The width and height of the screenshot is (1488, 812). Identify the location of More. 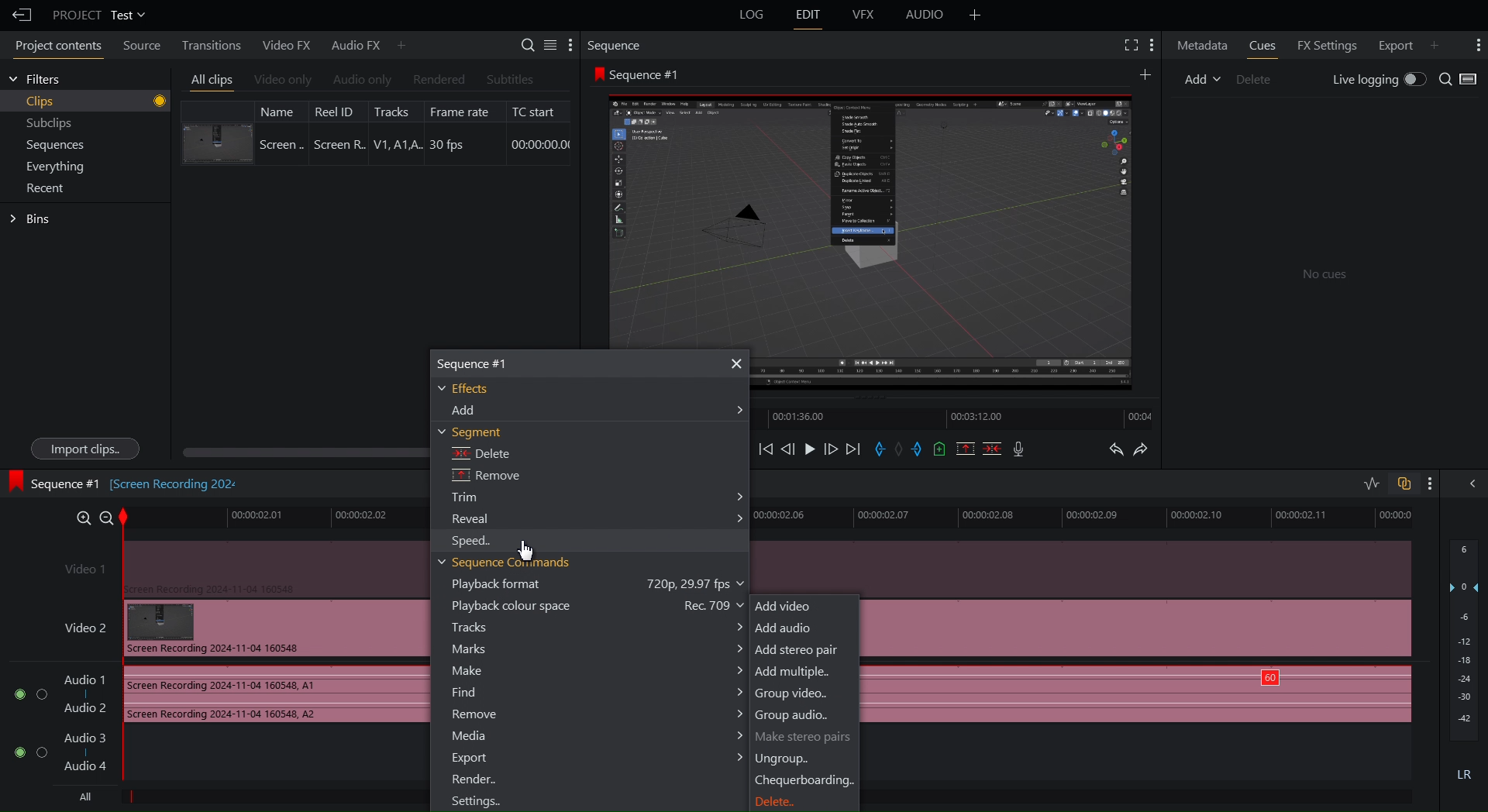
(1441, 43).